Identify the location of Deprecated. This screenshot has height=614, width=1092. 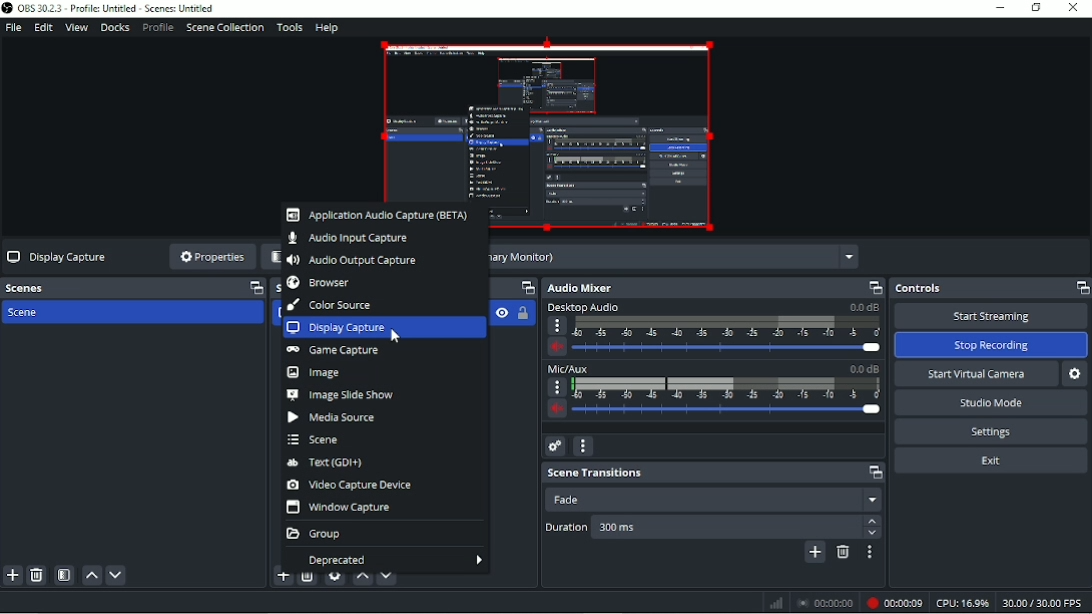
(382, 559).